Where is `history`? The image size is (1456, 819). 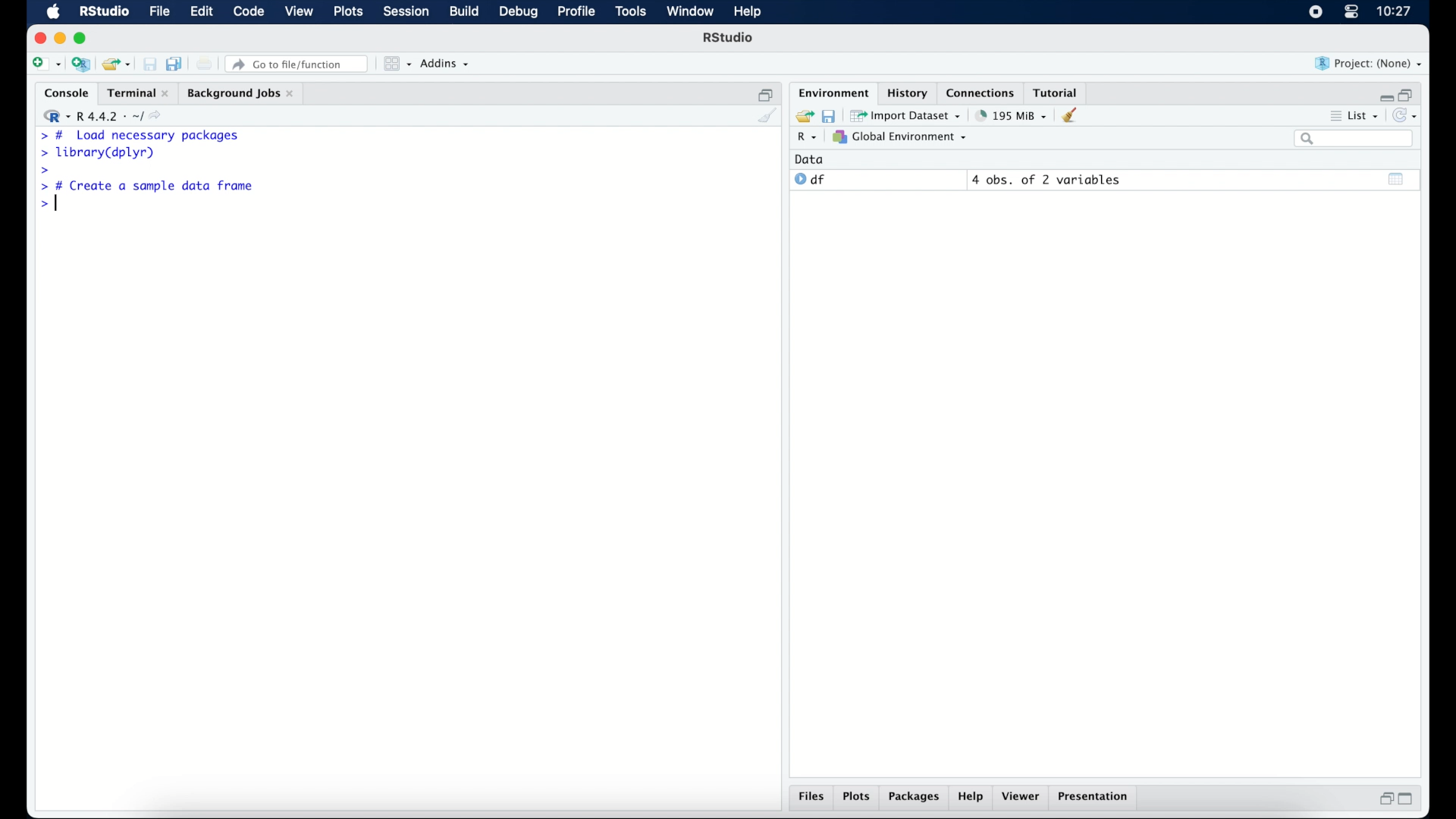
history is located at coordinates (906, 92).